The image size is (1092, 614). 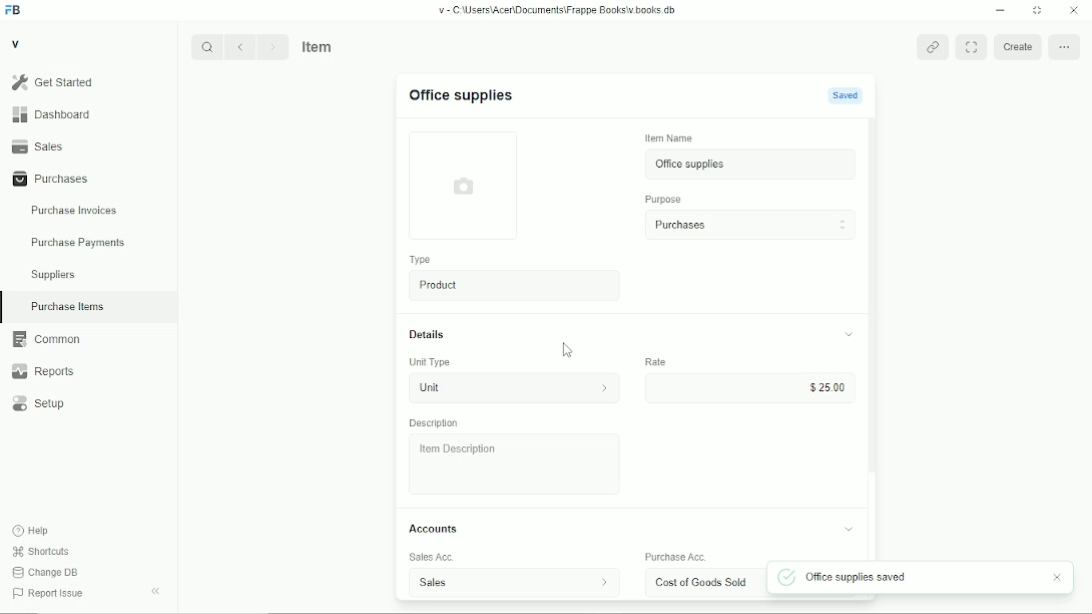 What do you see at coordinates (481, 583) in the screenshot?
I see `sales` at bounding box center [481, 583].